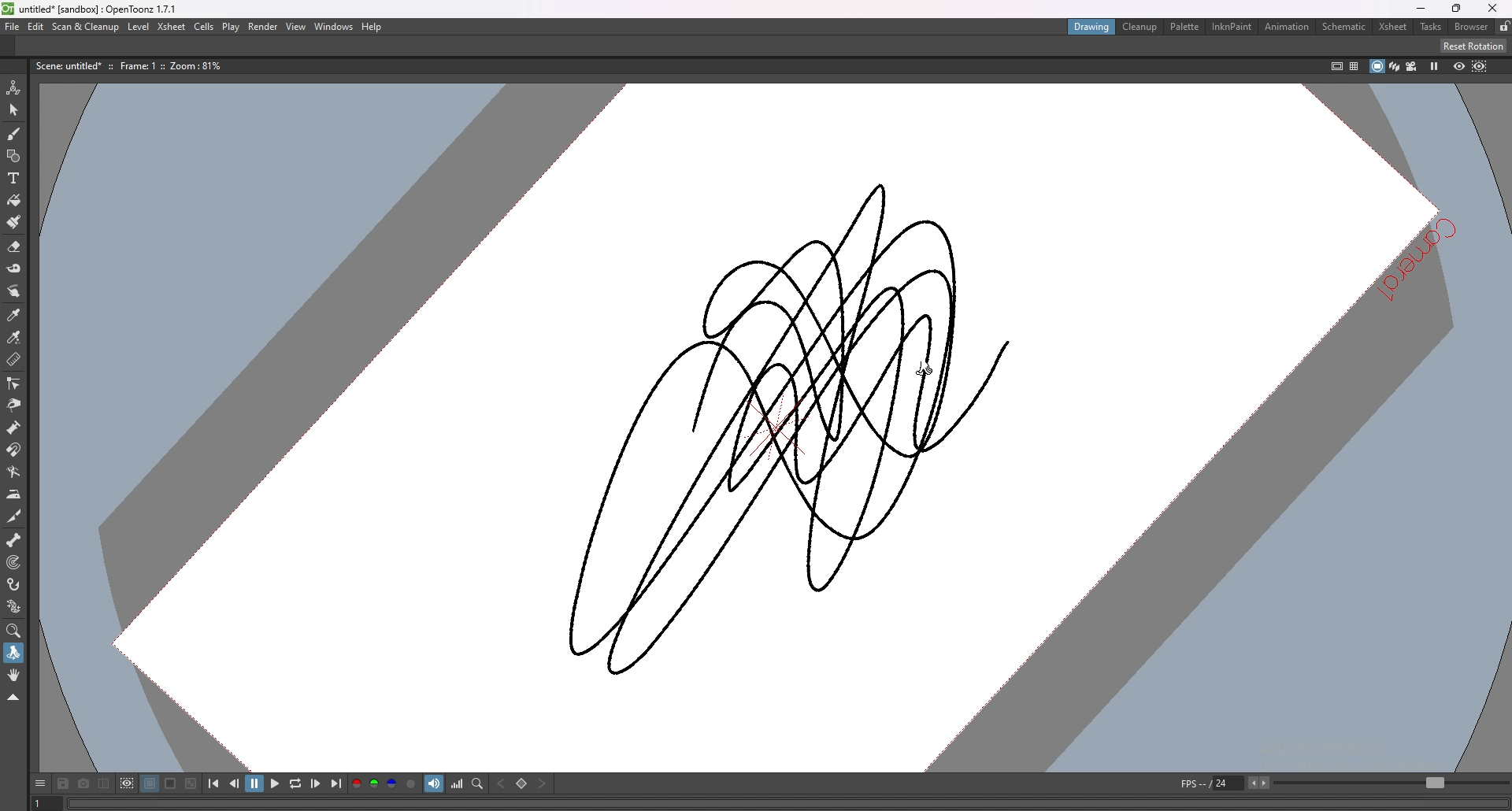  What do you see at coordinates (456, 785) in the screenshot?
I see `histogram` at bounding box center [456, 785].